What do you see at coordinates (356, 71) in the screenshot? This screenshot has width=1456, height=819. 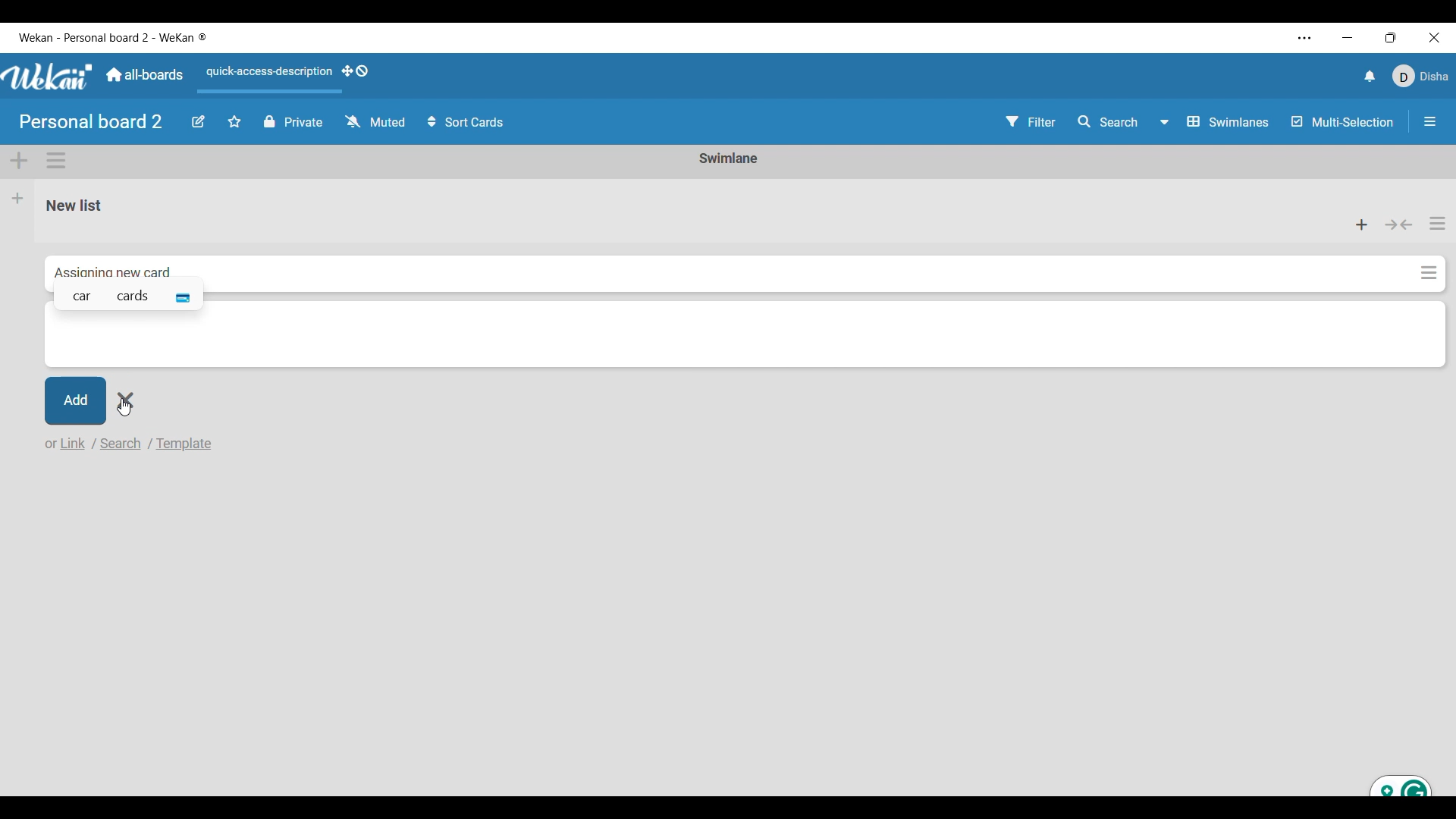 I see `Show desktop drag handles` at bounding box center [356, 71].